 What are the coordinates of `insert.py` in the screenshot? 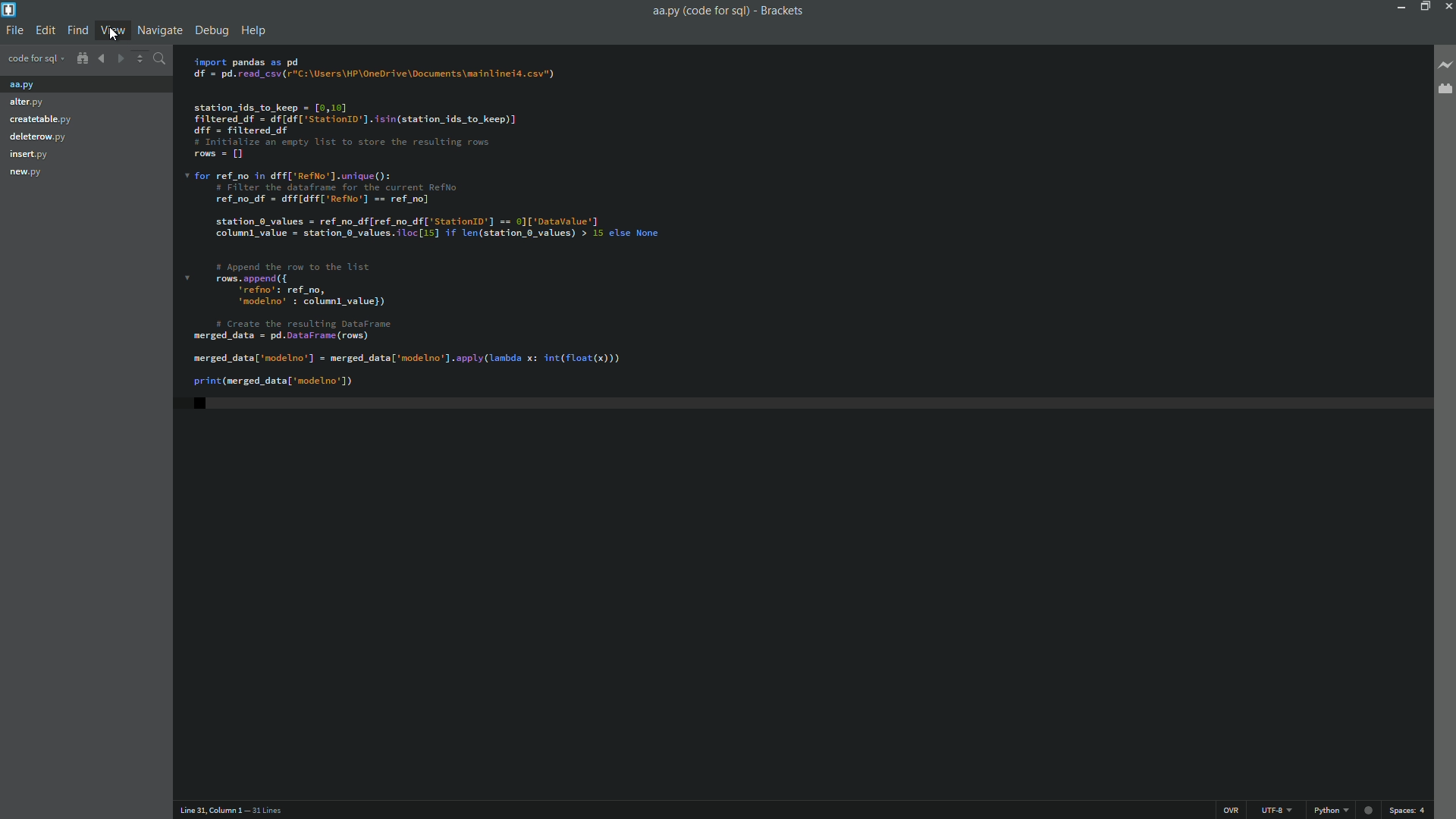 It's located at (33, 155).